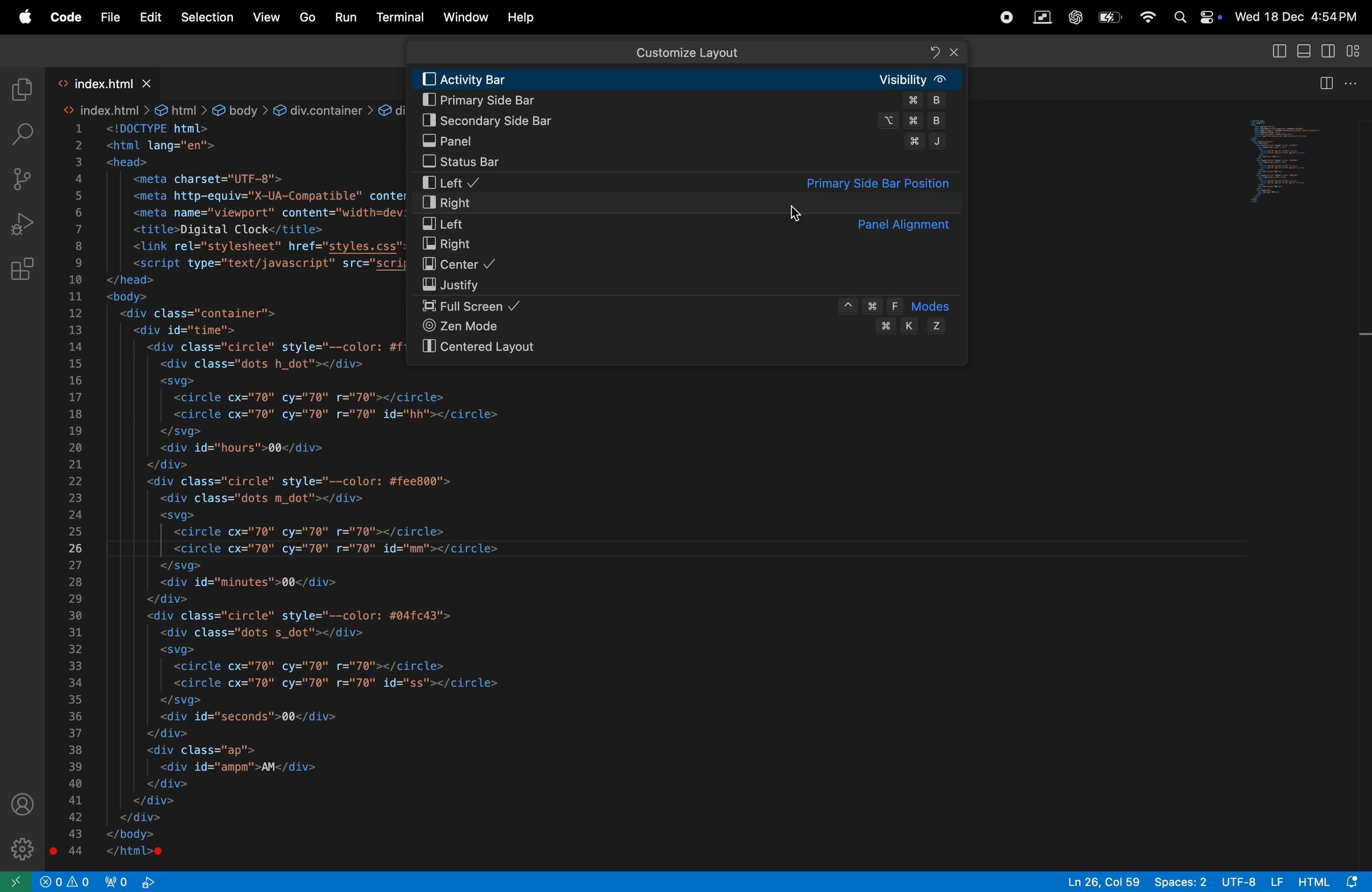  Describe the element at coordinates (689, 78) in the screenshot. I see `activity bar` at that location.